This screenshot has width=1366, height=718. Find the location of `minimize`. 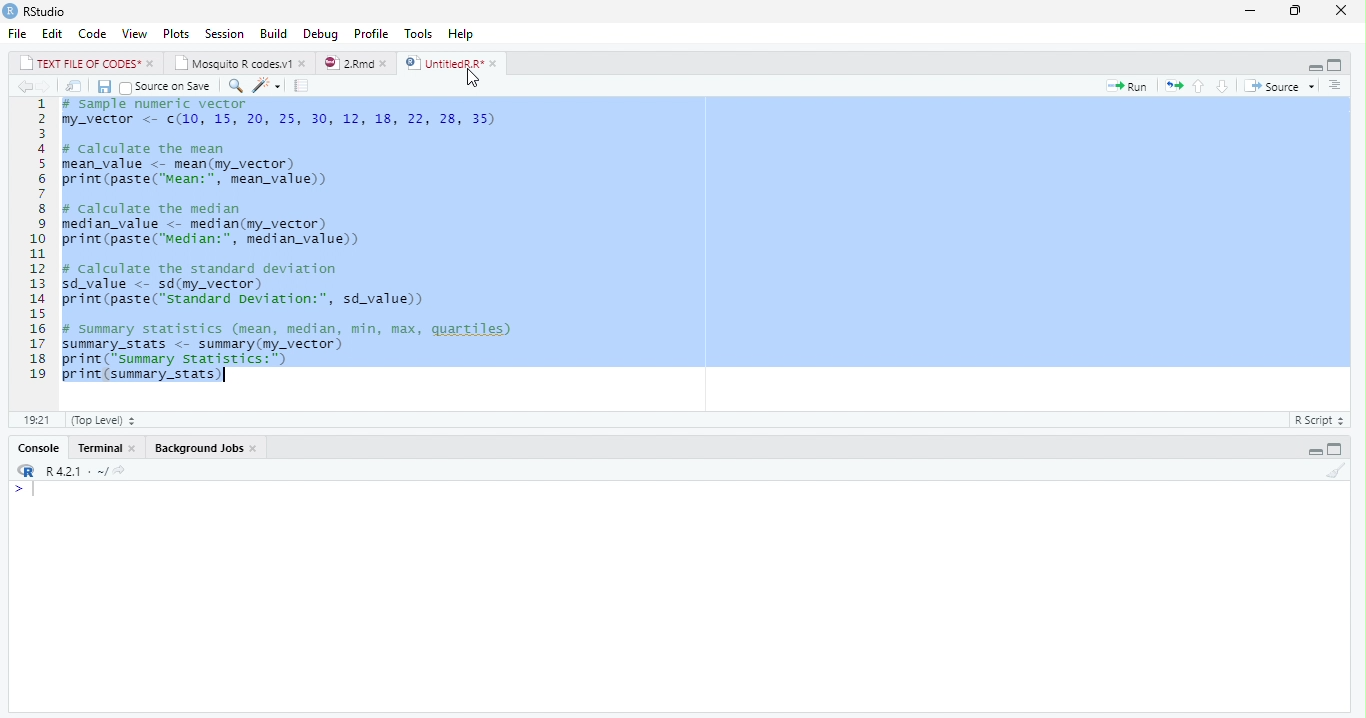

minimize is located at coordinates (1315, 66).